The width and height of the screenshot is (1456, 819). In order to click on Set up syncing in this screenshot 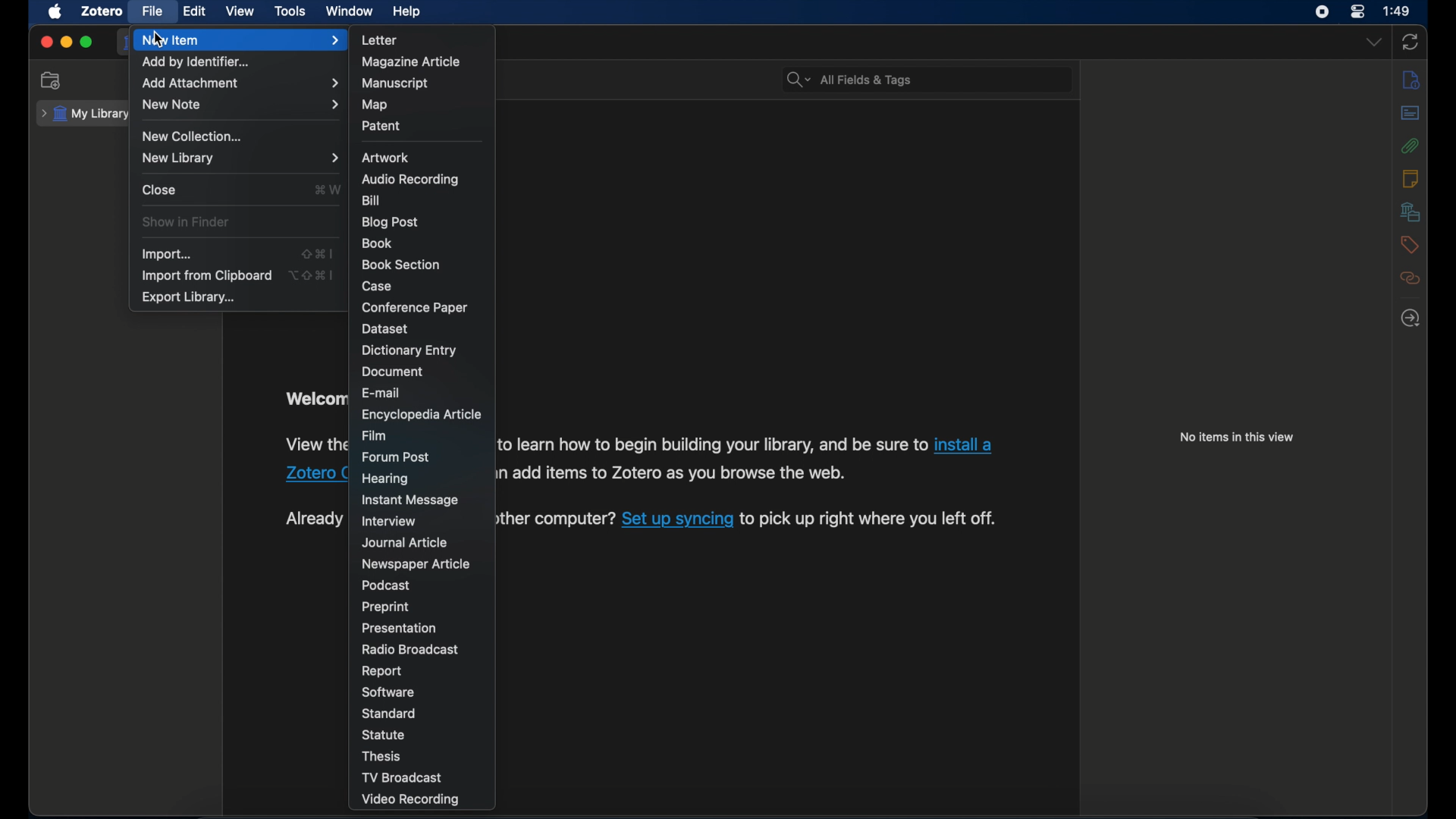, I will do `click(678, 519)`.